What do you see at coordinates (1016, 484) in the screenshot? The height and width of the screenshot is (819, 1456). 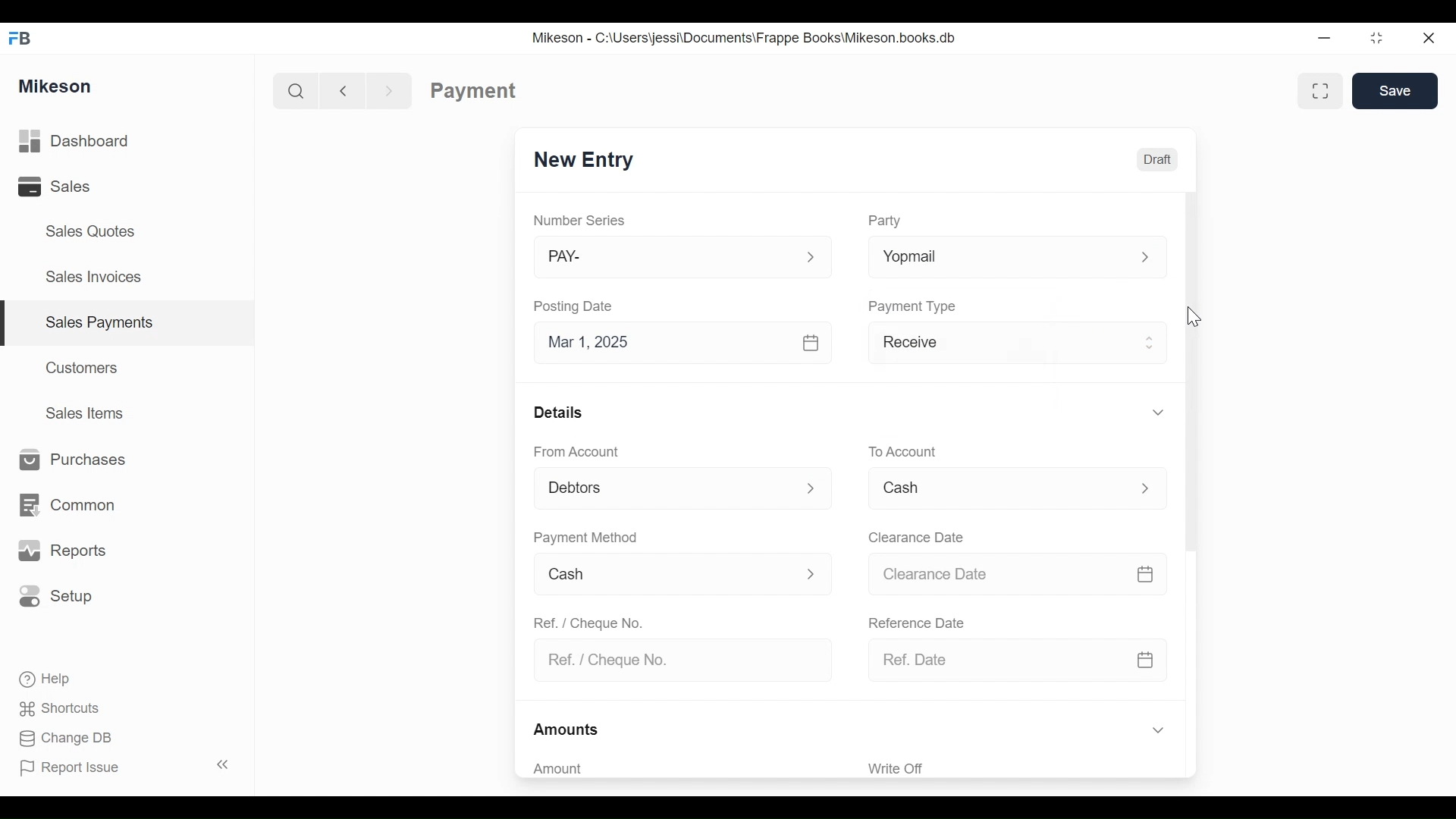 I see `` at bounding box center [1016, 484].